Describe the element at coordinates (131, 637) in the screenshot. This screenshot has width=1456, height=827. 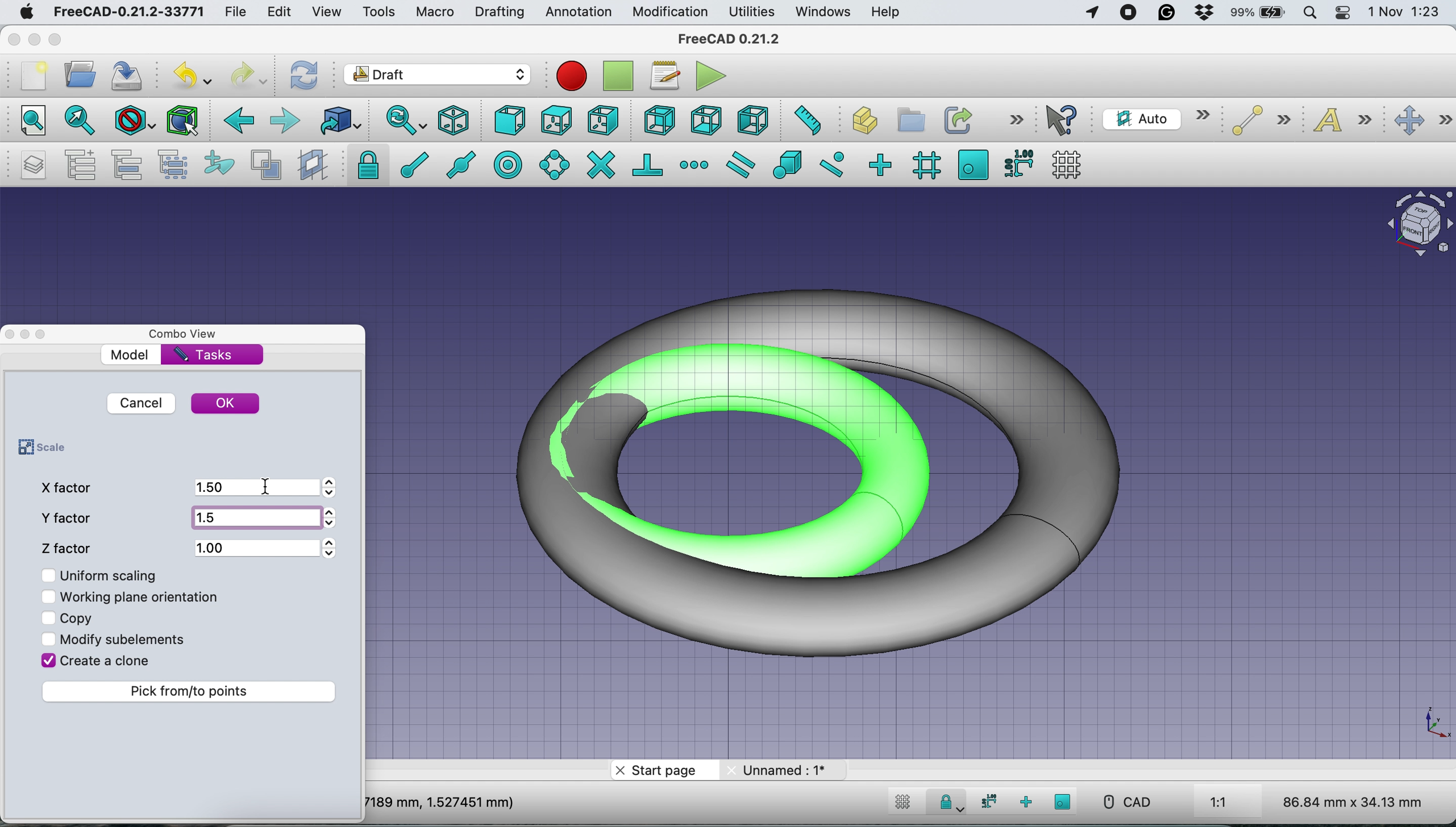
I see `modify sub elements` at that location.